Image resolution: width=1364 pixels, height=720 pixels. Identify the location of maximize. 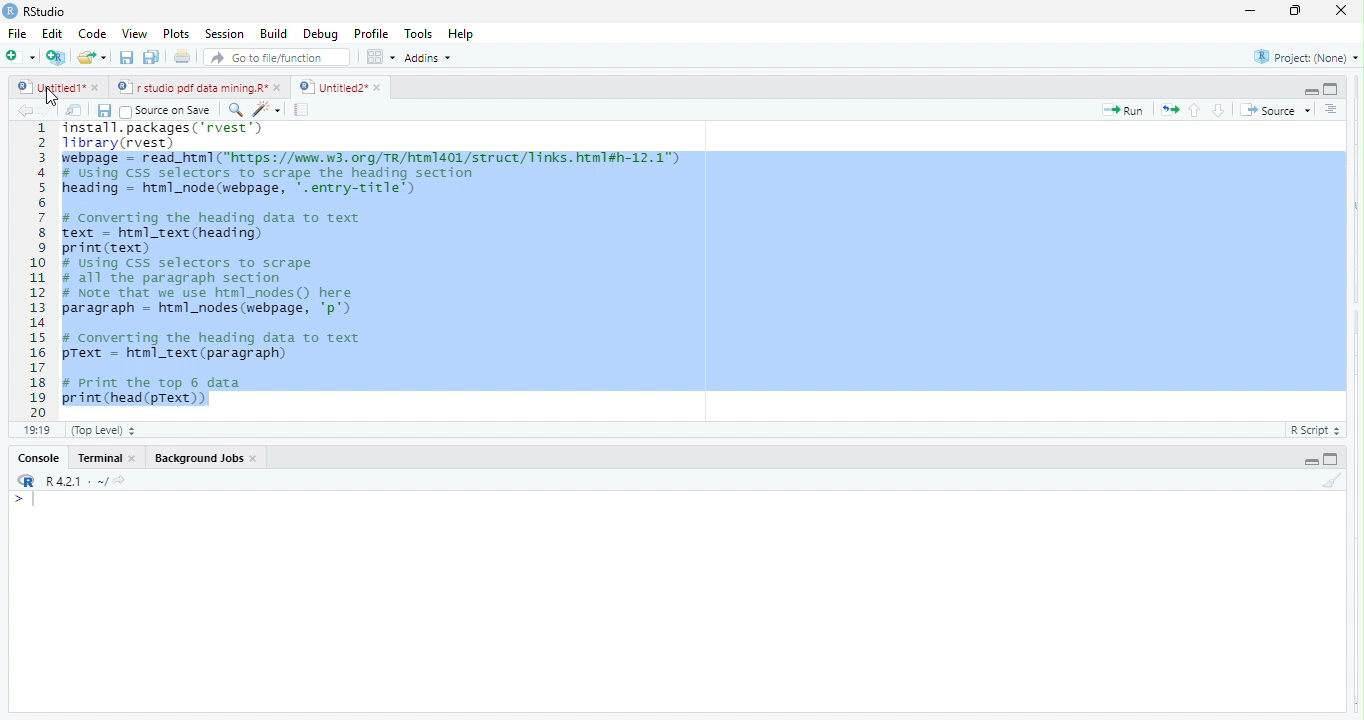
(1248, 13).